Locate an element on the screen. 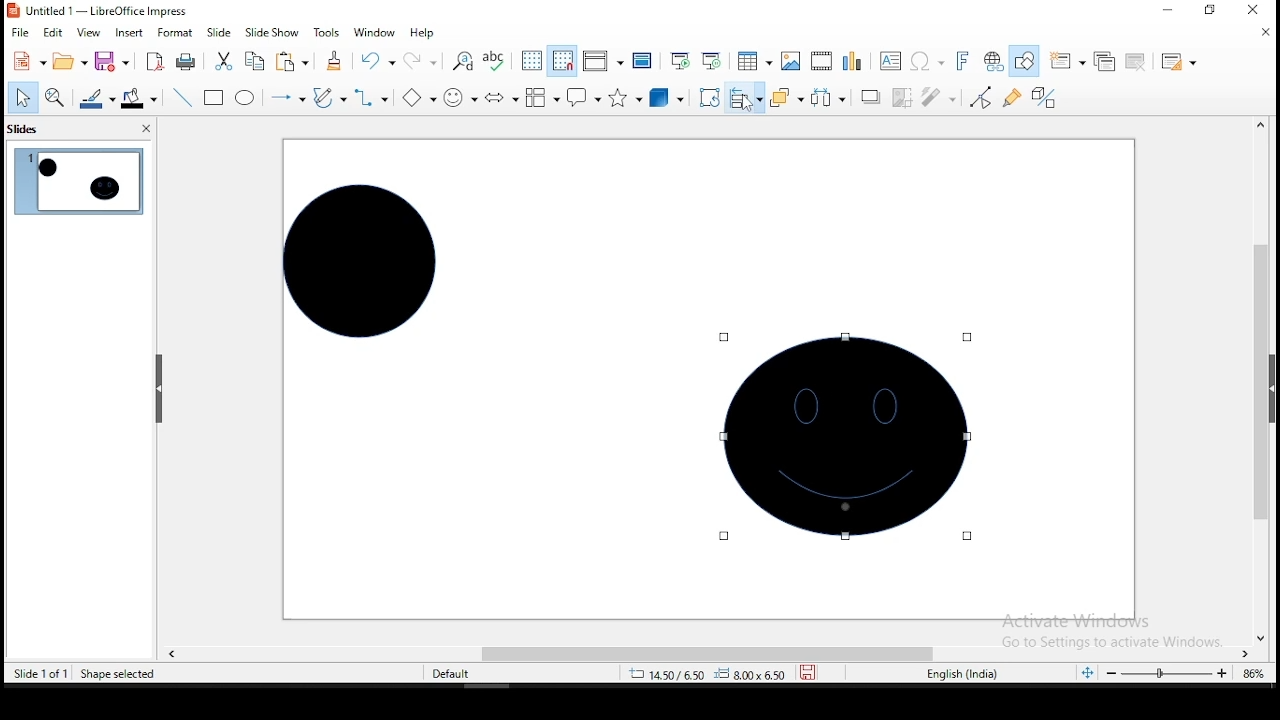 Image resolution: width=1280 pixels, height=720 pixels. 0.00x0.00 is located at coordinates (751, 674).